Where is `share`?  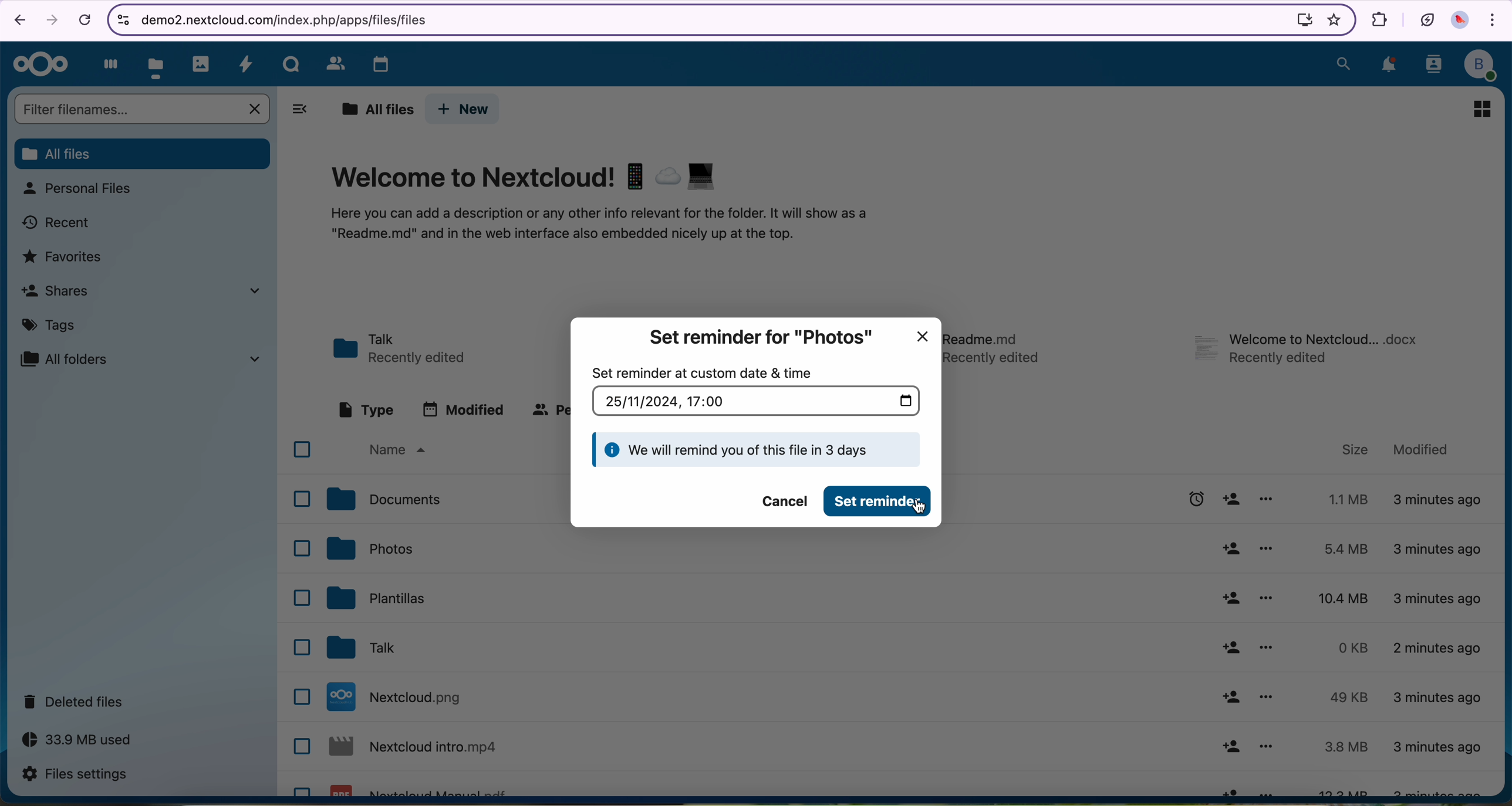 share is located at coordinates (1233, 499).